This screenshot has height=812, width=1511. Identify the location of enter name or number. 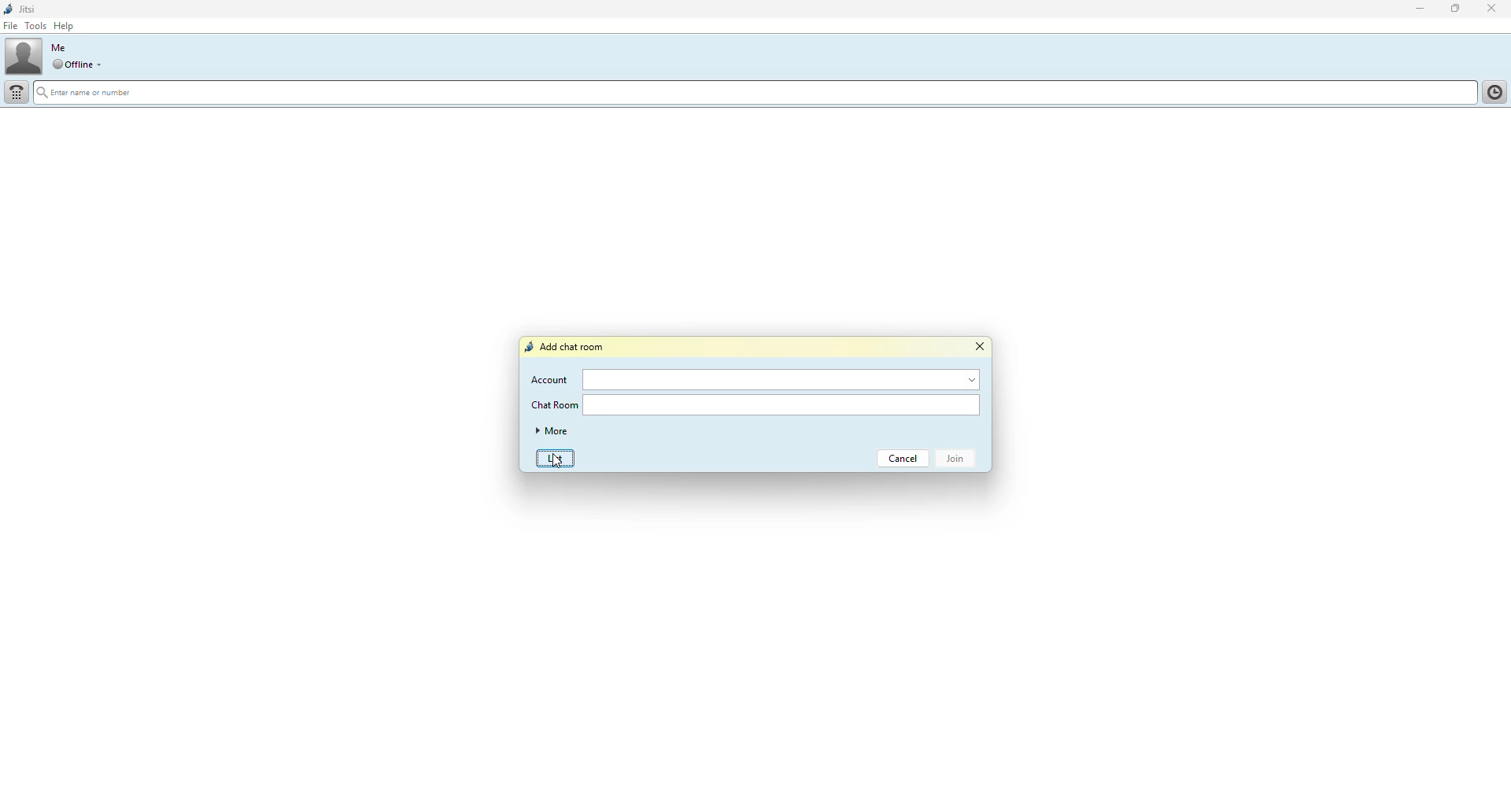
(106, 93).